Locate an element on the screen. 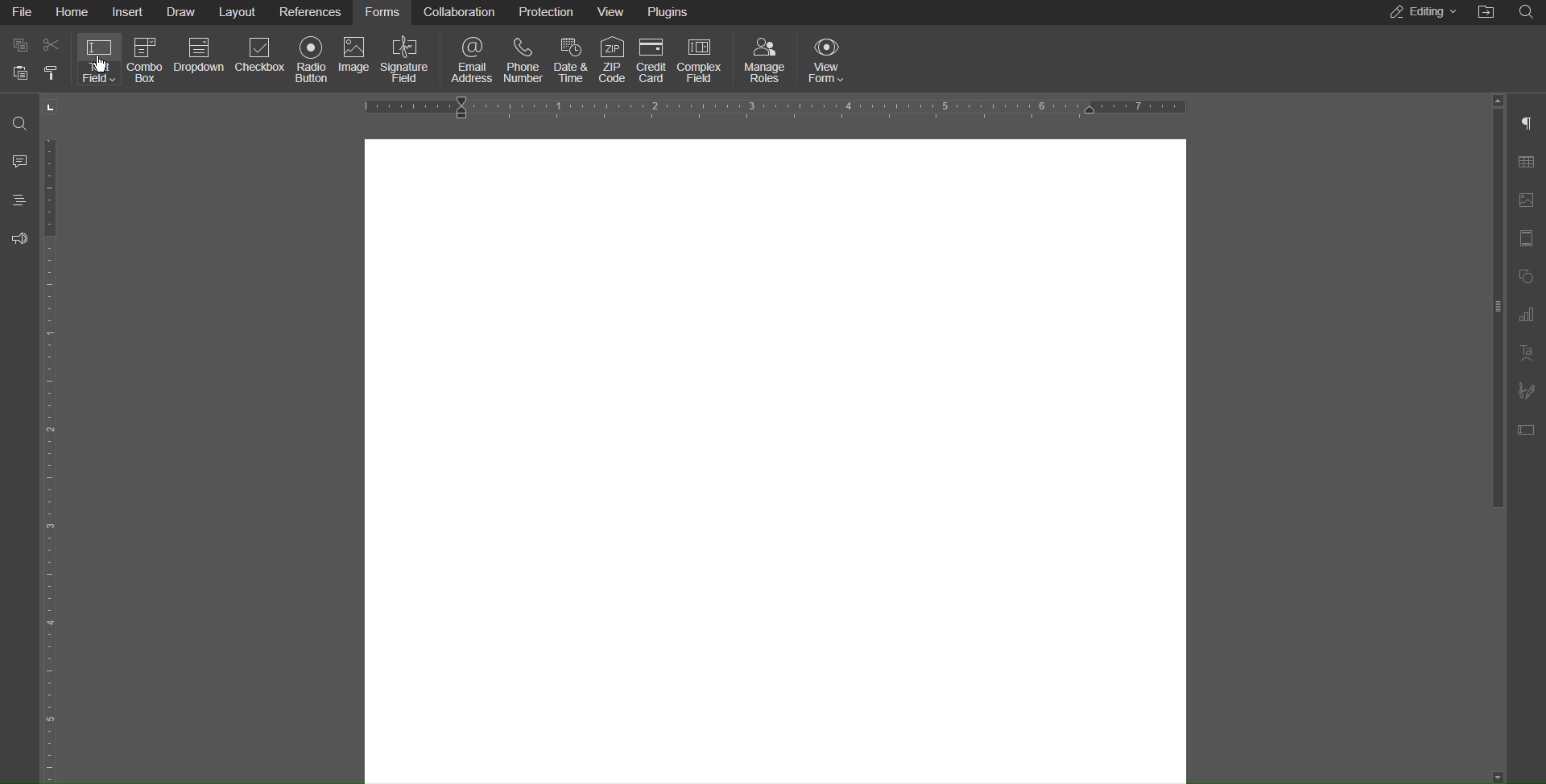  Shape Settings is located at coordinates (1528, 276).